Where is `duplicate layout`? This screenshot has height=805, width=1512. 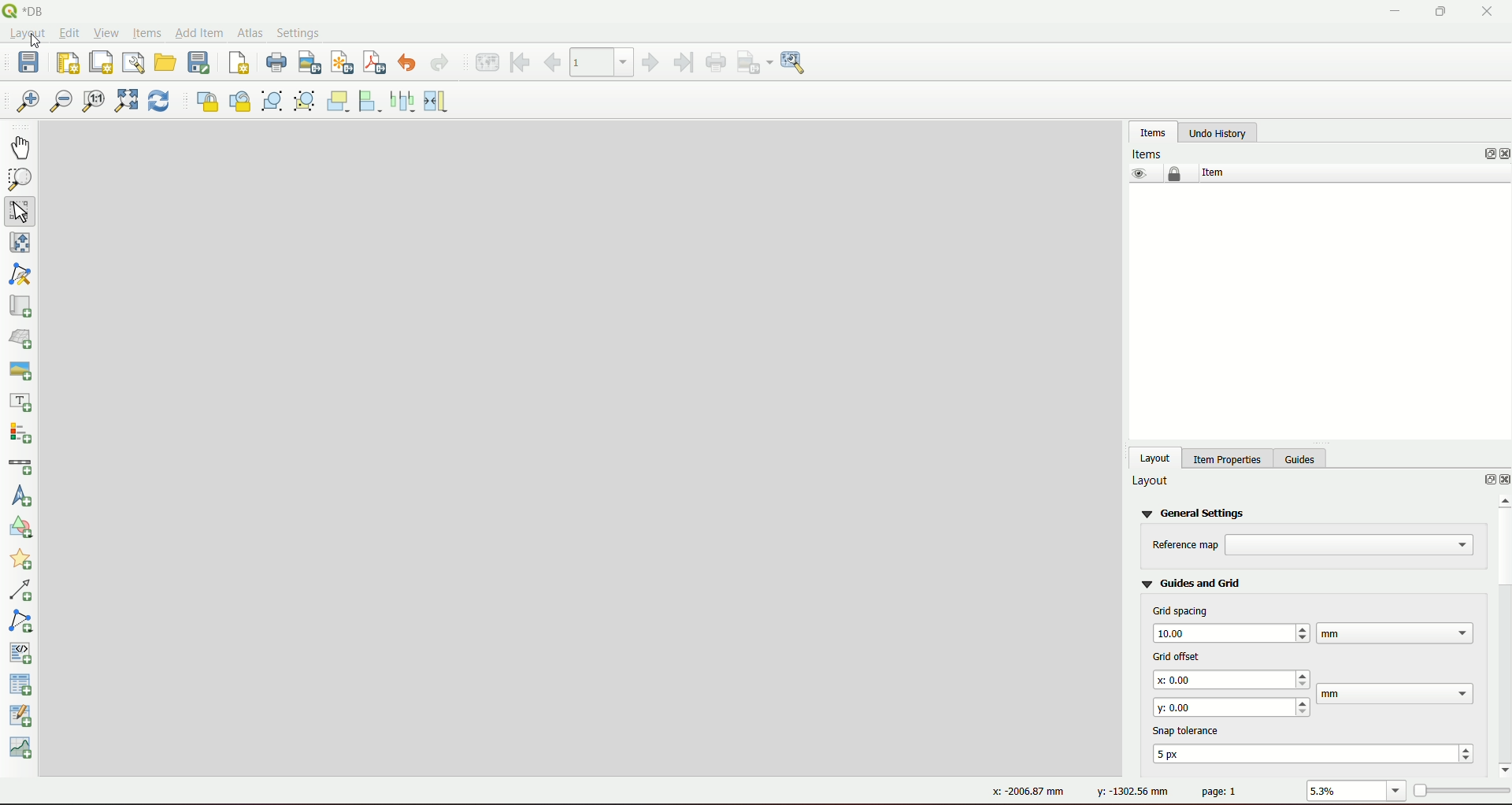 duplicate layout is located at coordinates (101, 61).